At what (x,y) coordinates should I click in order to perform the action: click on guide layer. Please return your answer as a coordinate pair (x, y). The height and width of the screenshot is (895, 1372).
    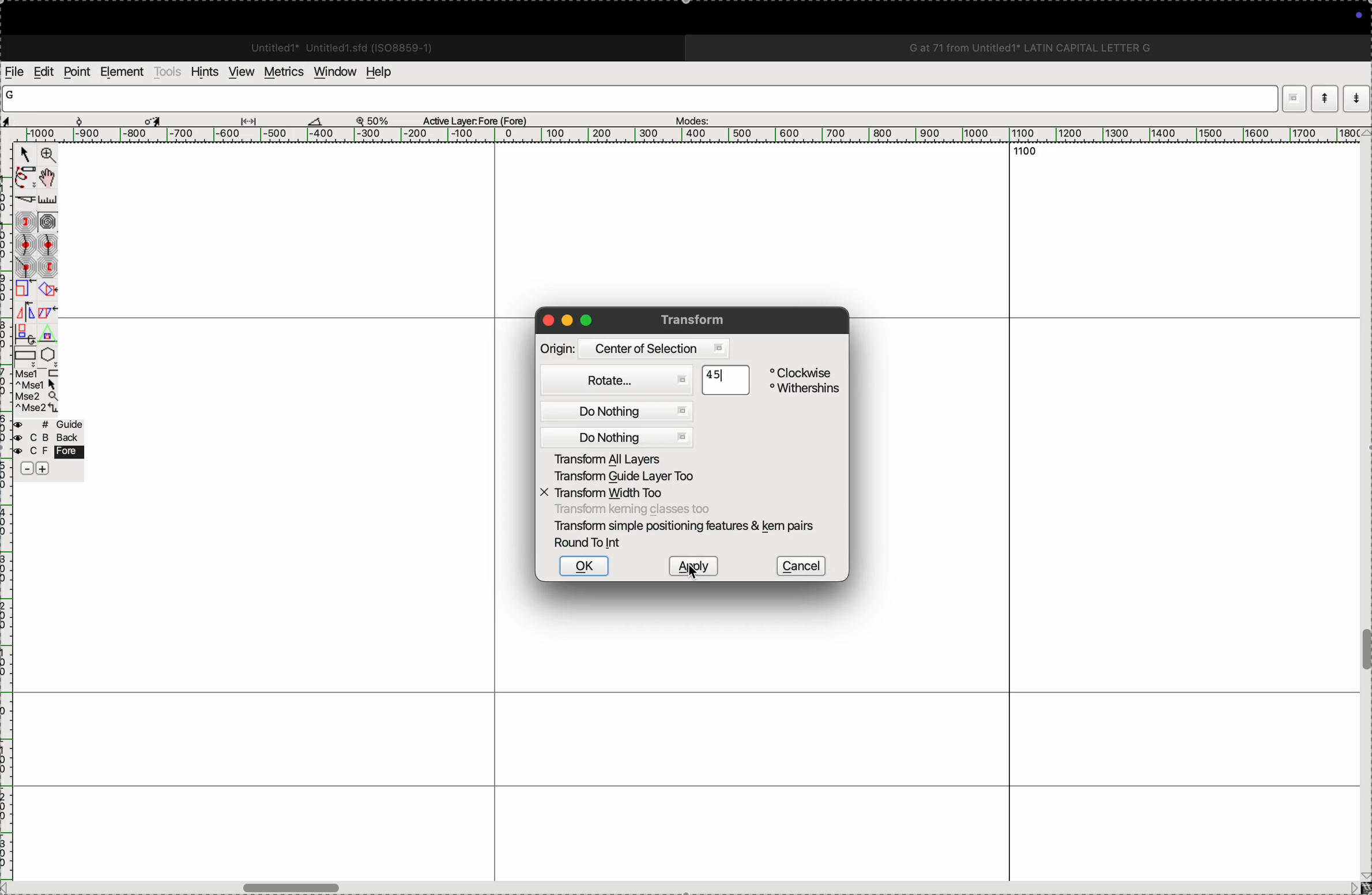
    Looking at the image, I should click on (48, 423).